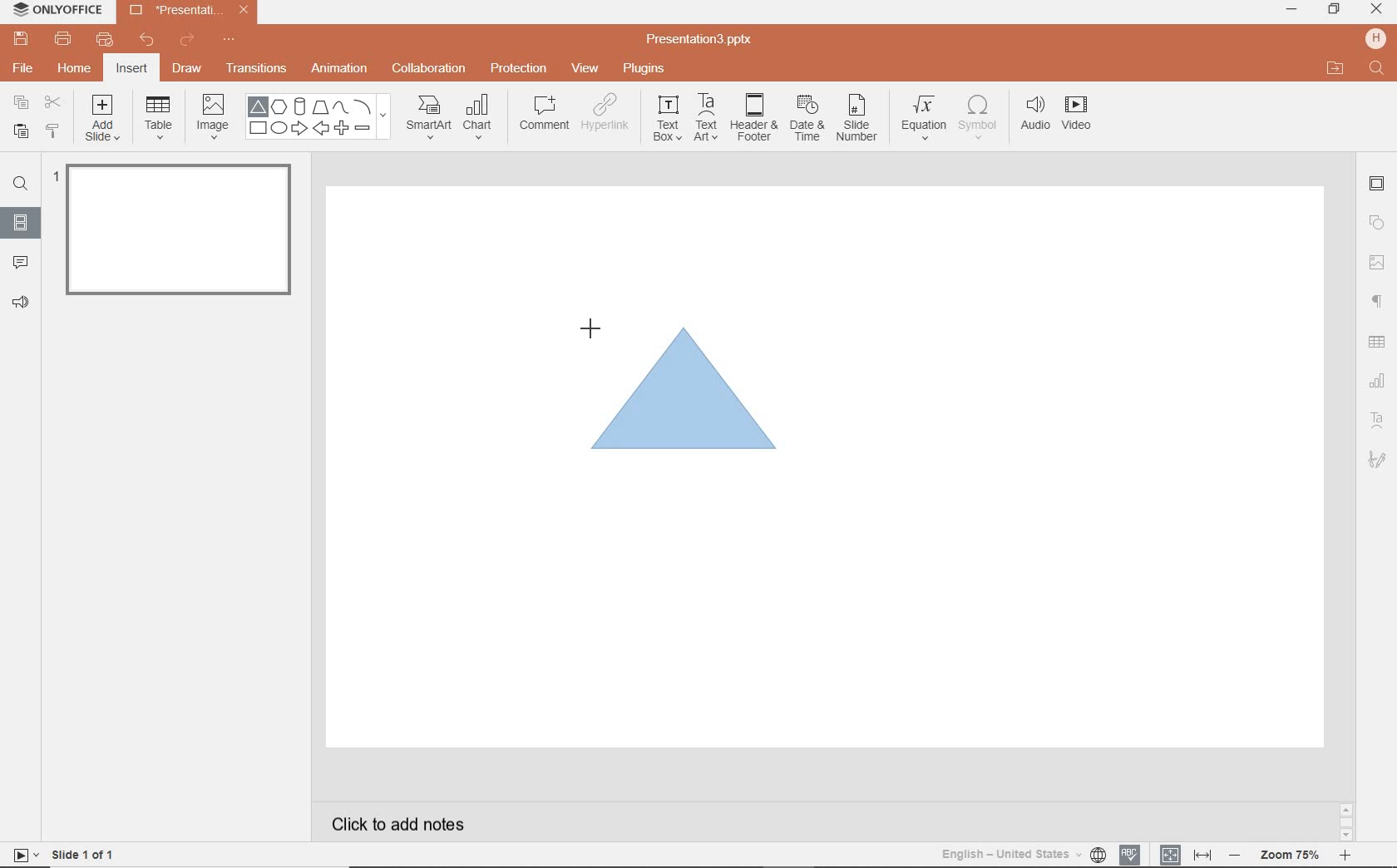  What do you see at coordinates (1134, 852) in the screenshot?
I see `SPELL CHECKING` at bounding box center [1134, 852].